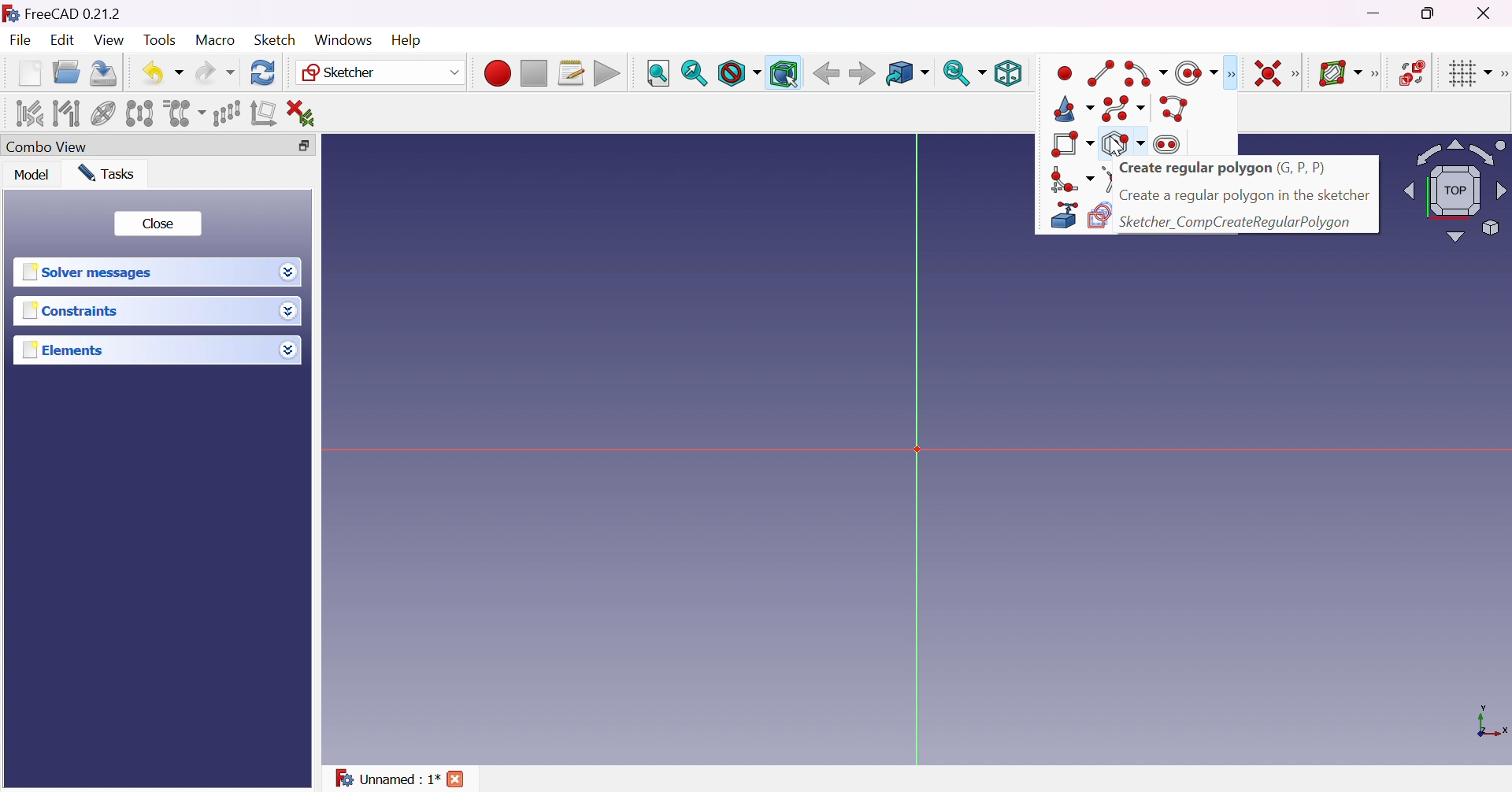 The image size is (1512, 792). Describe the element at coordinates (33, 174) in the screenshot. I see `Model` at that location.